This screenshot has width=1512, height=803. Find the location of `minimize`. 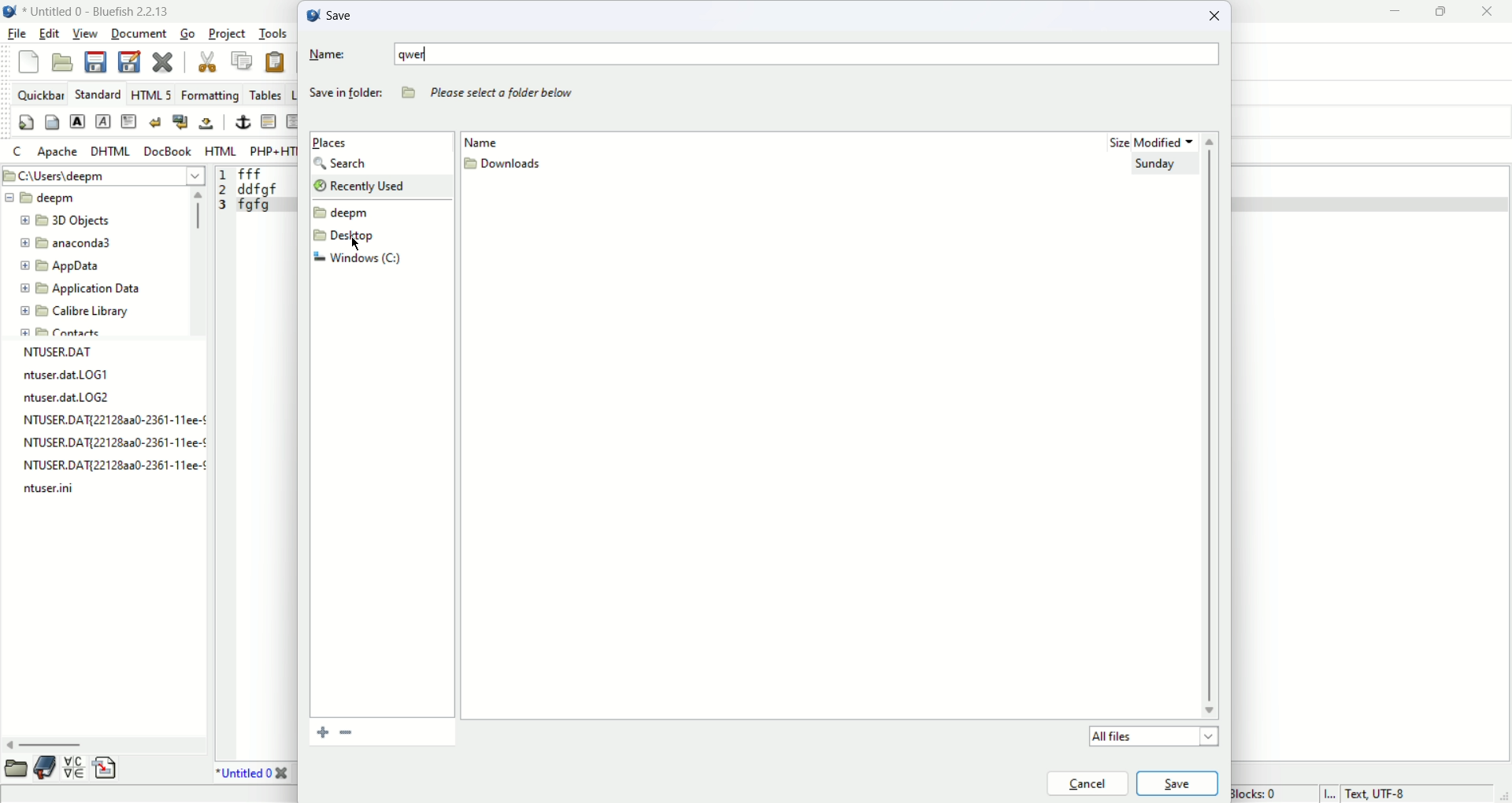

minimize is located at coordinates (1392, 12).